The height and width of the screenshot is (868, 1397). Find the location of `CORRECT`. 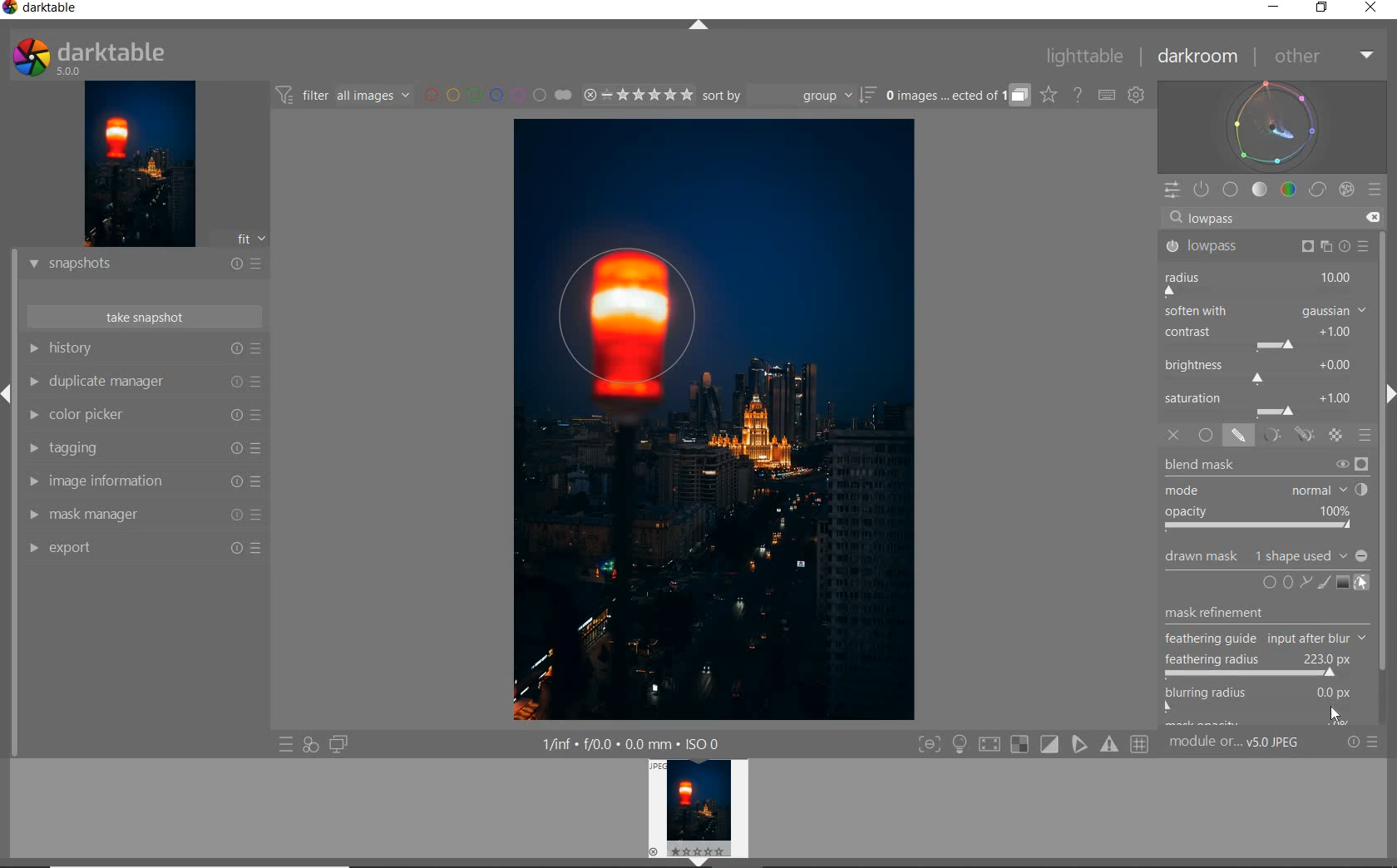

CORRECT is located at coordinates (1317, 190).